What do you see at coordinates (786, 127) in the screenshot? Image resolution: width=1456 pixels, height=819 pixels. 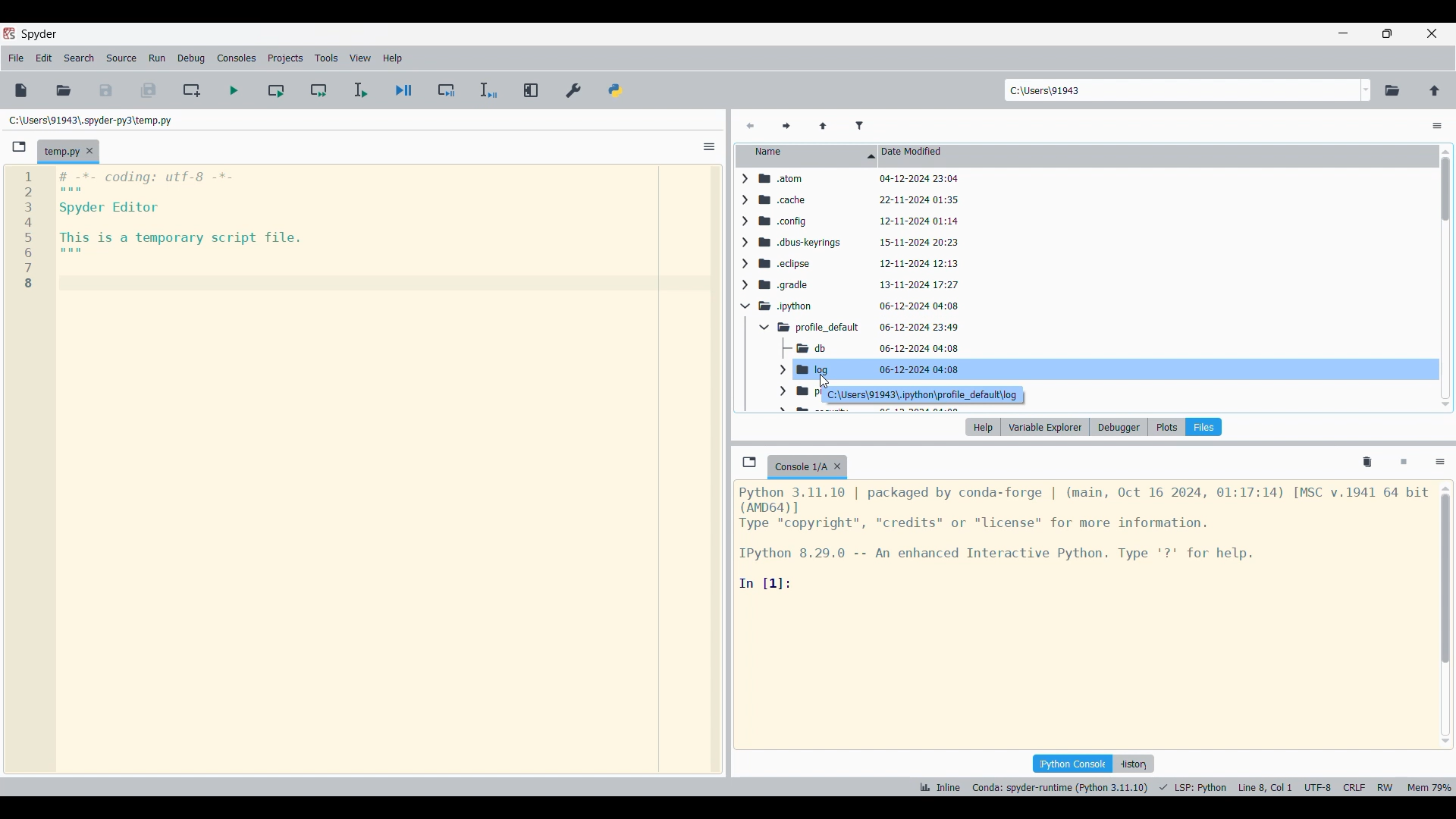 I see `Next` at bounding box center [786, 127].